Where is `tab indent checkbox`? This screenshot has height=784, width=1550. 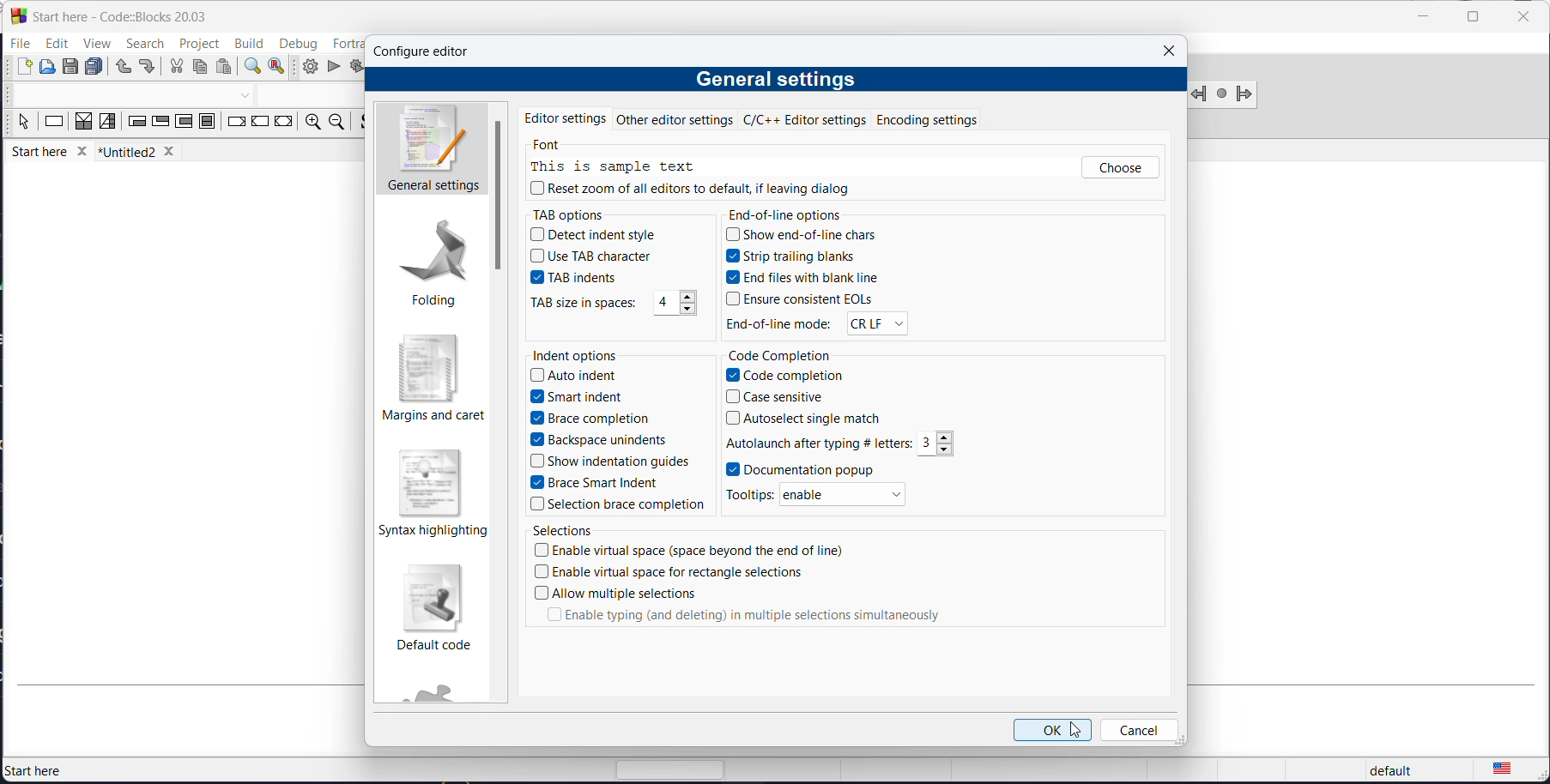
tab indent checkbox is located at coordinates (584, 278).